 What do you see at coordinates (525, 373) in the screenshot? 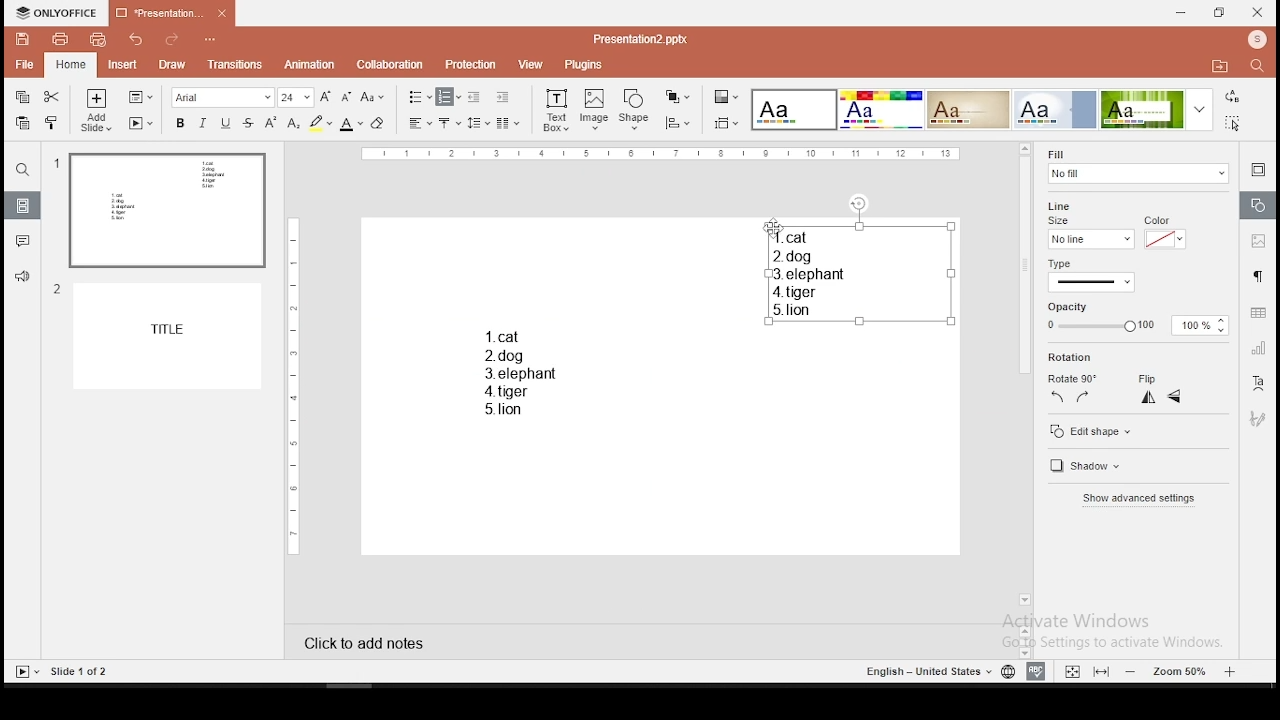
I see `text box` at bounding box center [525, 373].